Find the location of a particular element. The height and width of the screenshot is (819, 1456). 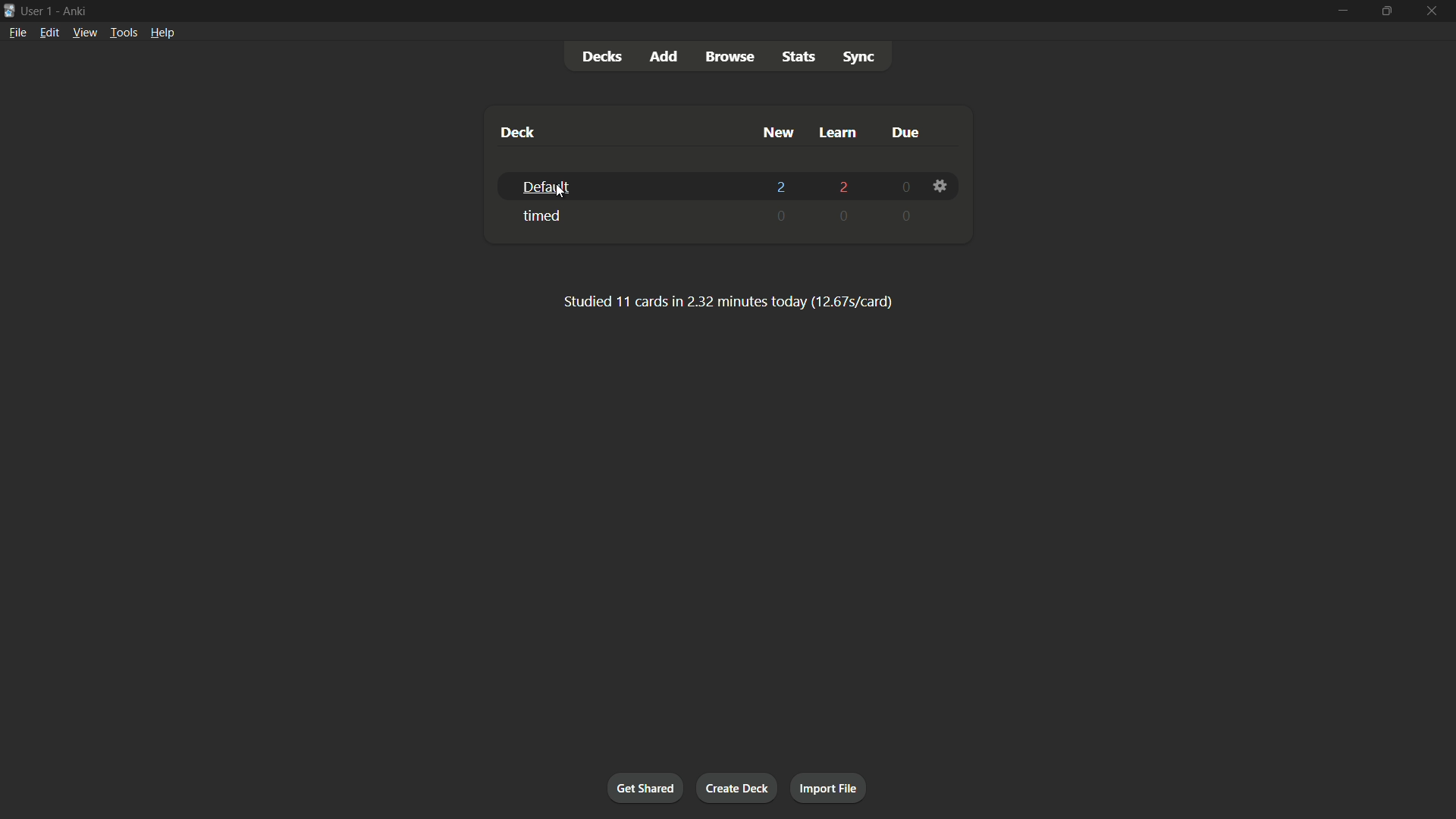

decks is located at coordinates (604, 55).